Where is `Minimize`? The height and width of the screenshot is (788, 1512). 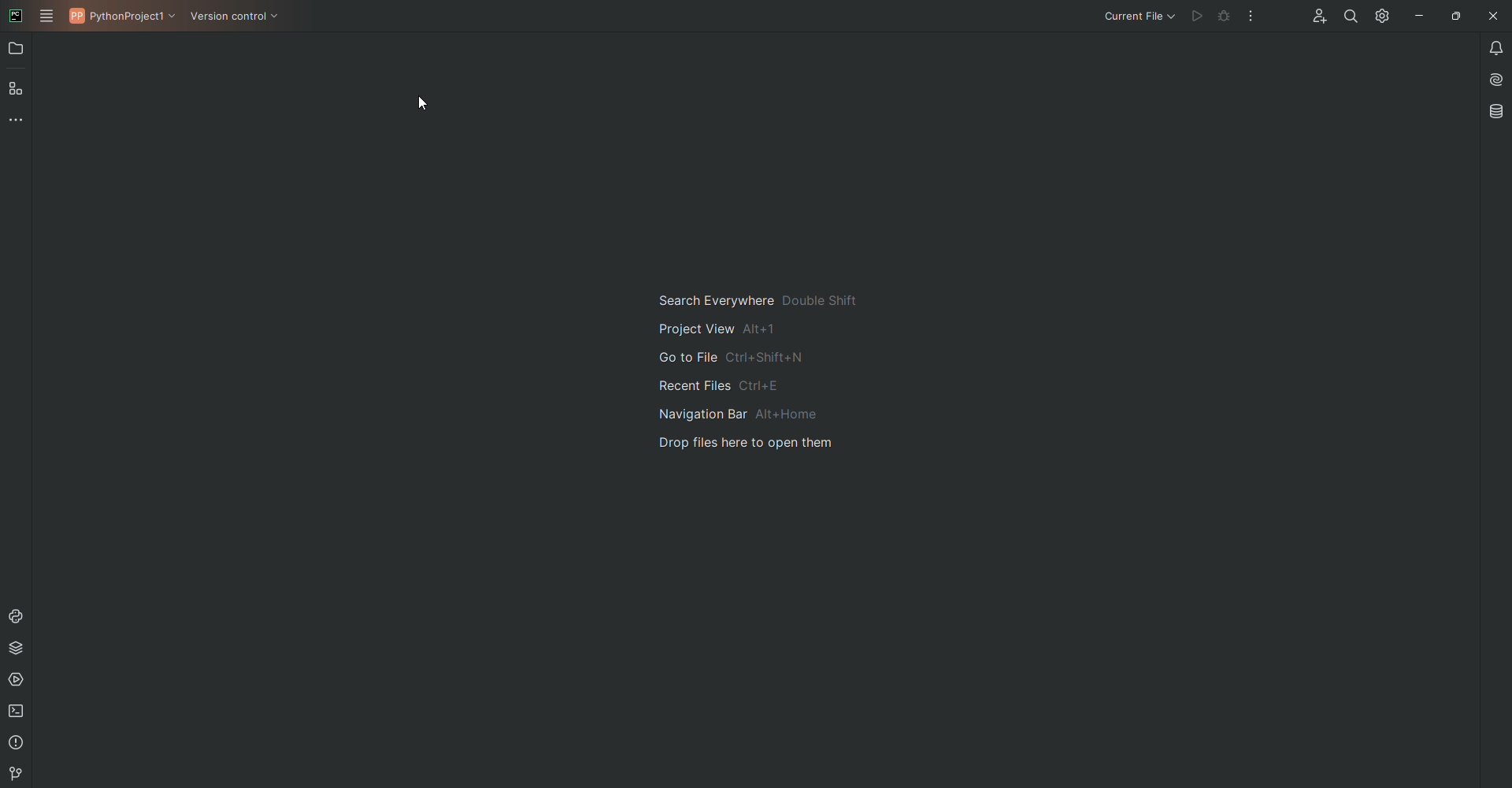 Minimize is located at coordinates (1415, 15).